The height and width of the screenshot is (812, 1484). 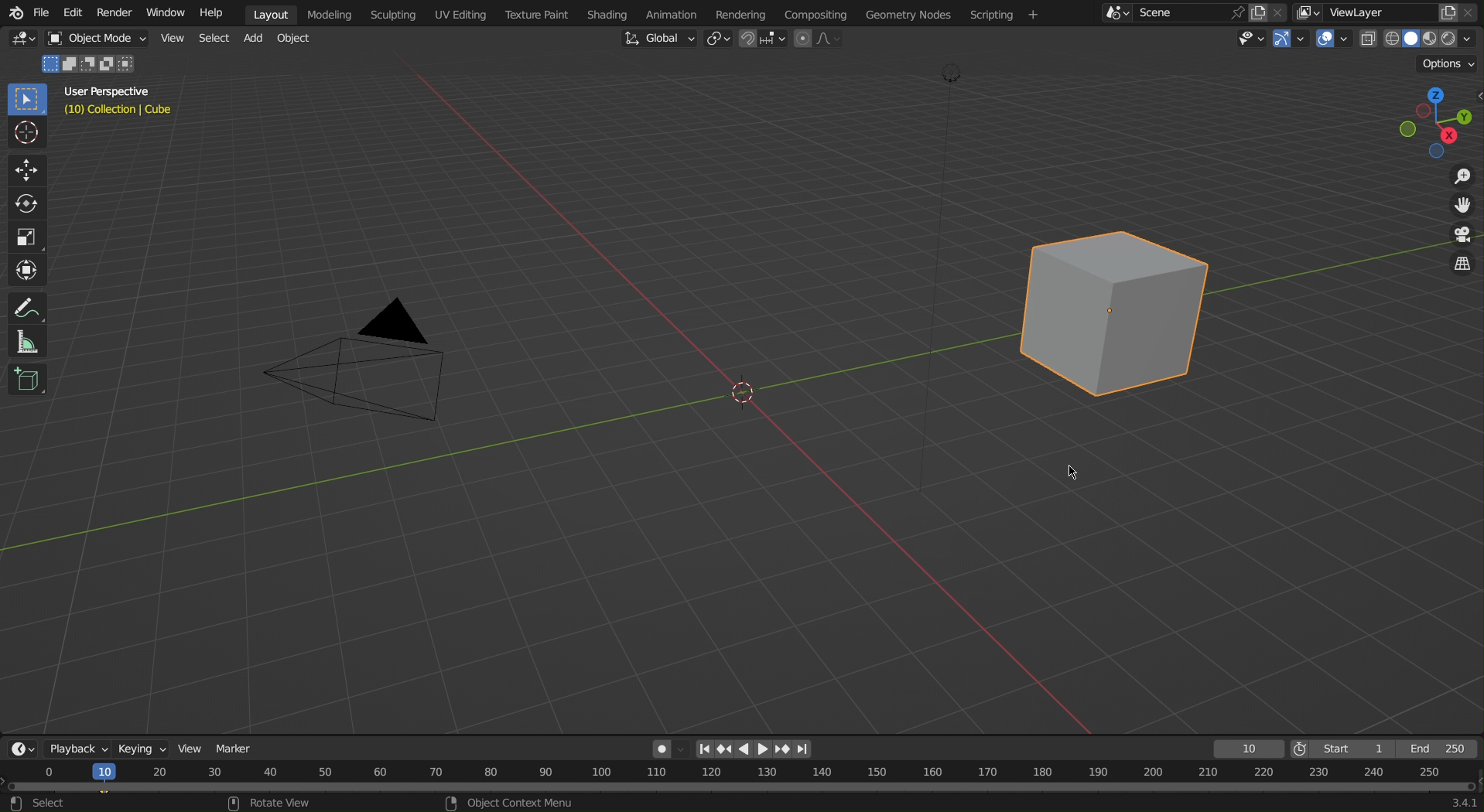 What do you see at coordinates (274, 12) in the screenshot?
I see `Layout` at bounding box center [274, 12].